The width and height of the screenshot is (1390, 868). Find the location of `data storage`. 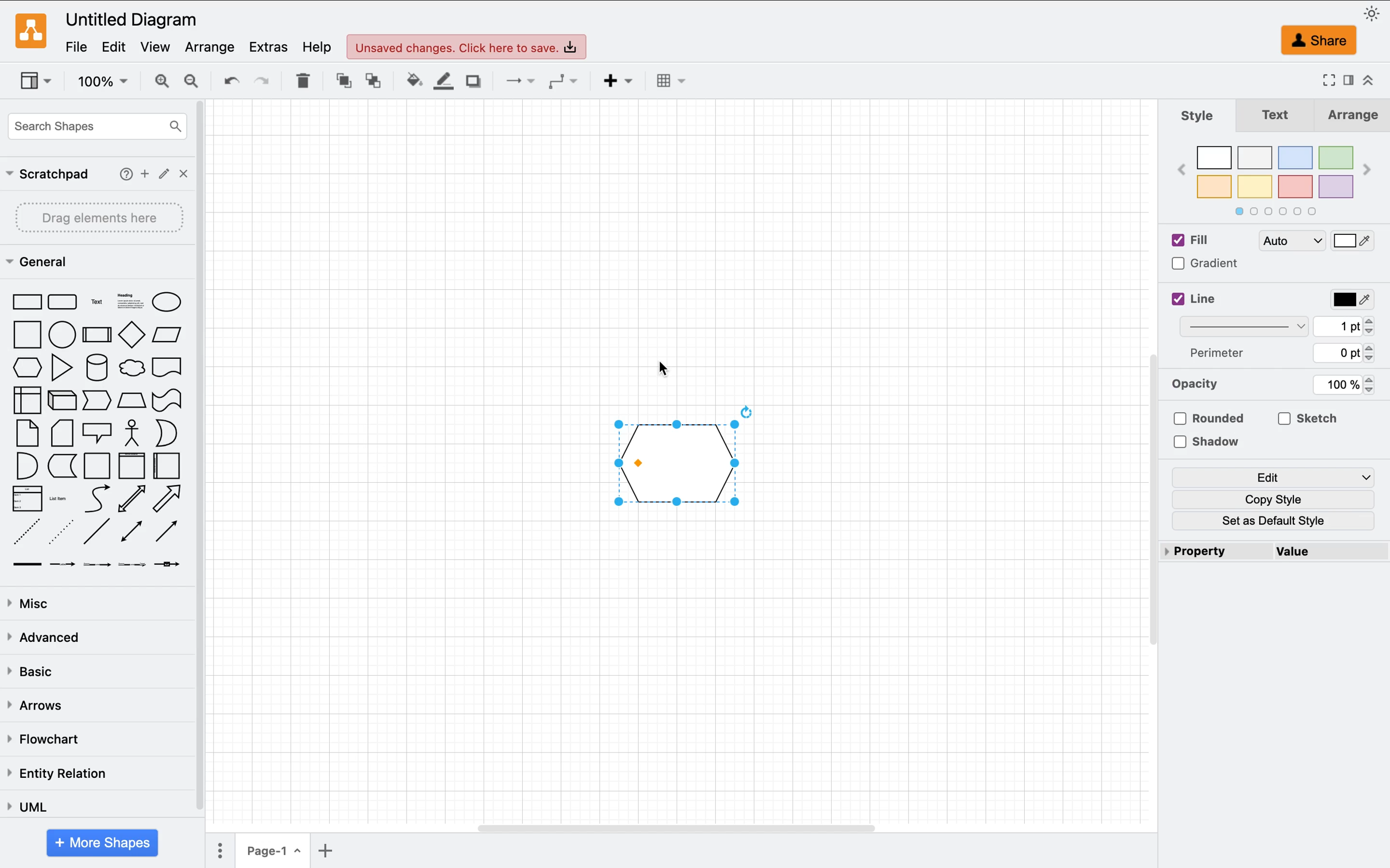

data storage is located at coordinates (62, 466).